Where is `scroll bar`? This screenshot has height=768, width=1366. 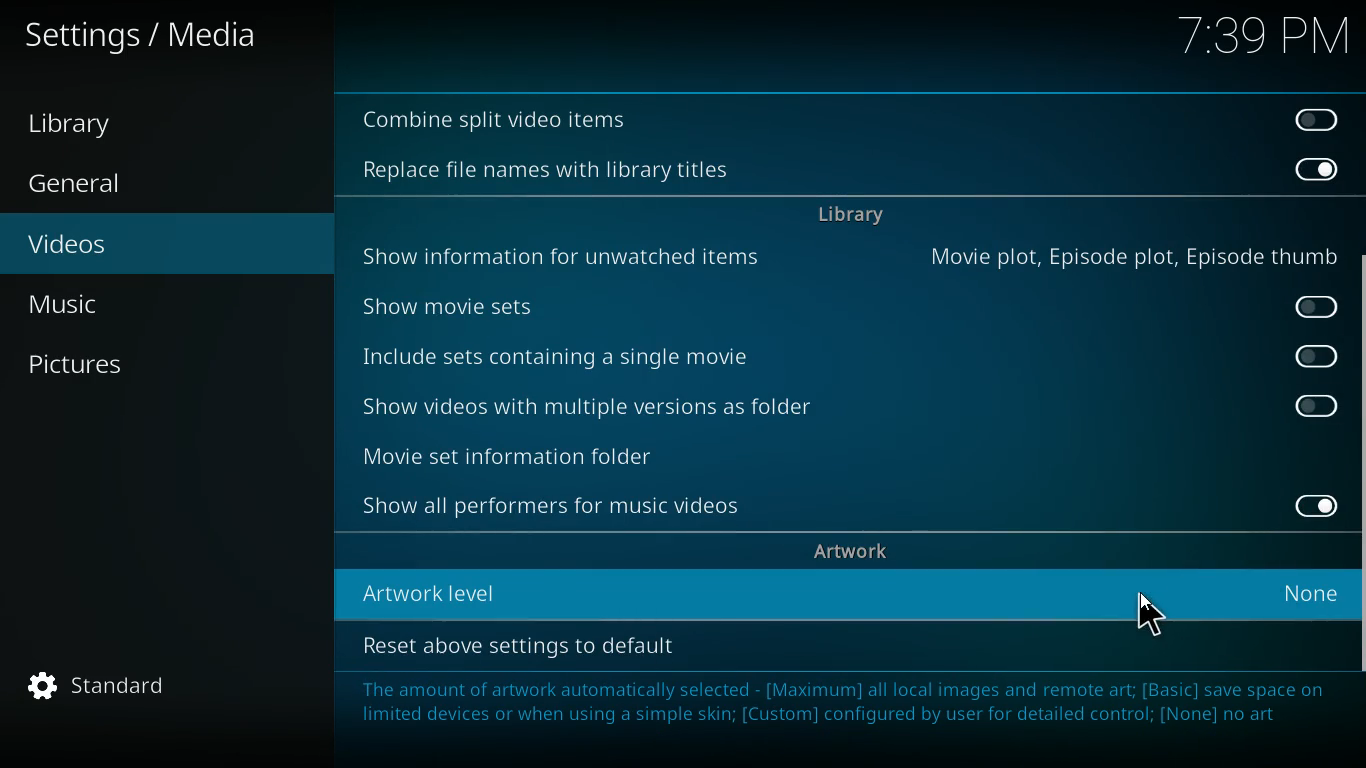
scroll bar is located at coordinates (1359, 461).